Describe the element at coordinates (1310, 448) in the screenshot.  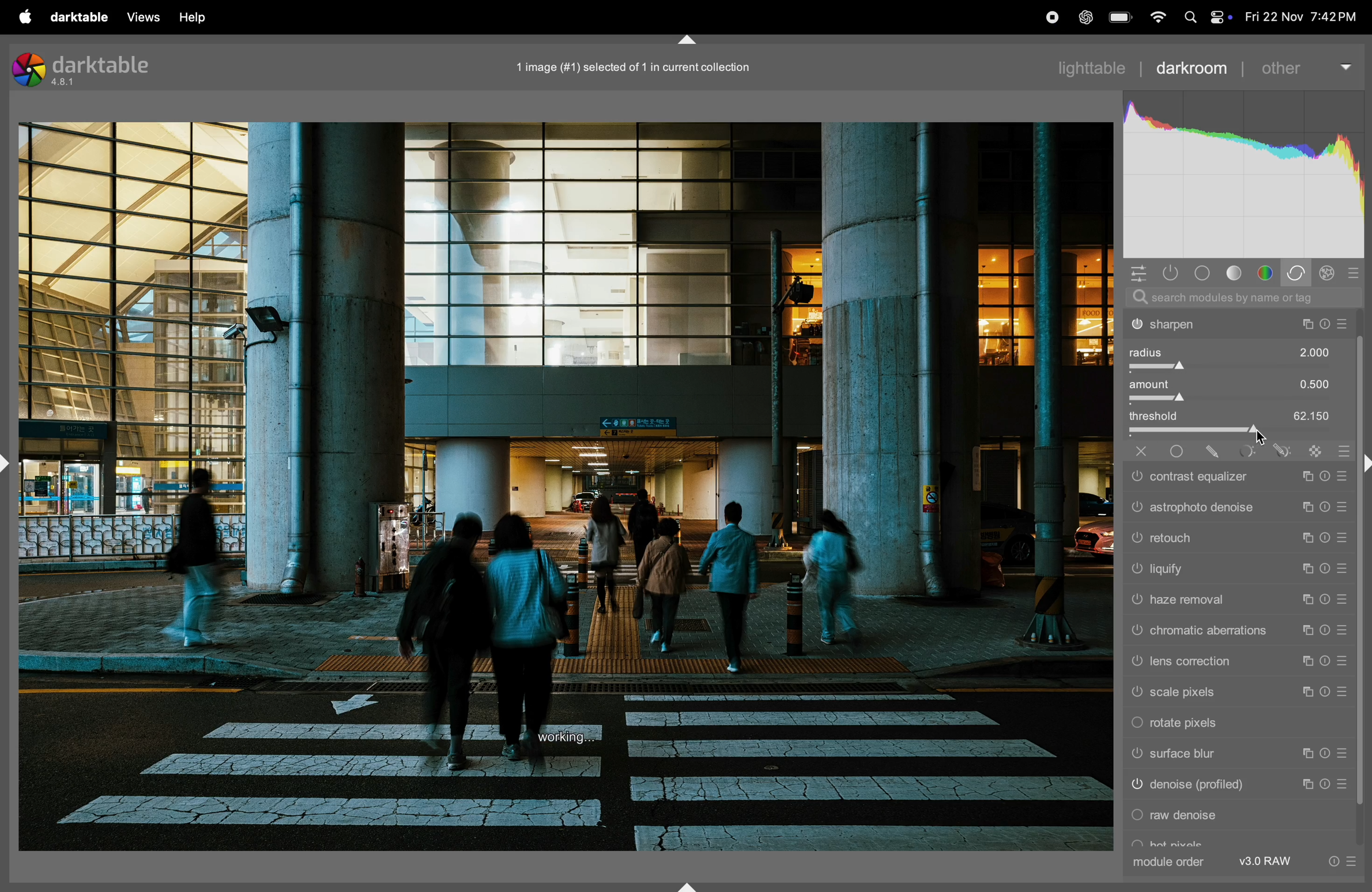
I see `rastter mask` at that location.